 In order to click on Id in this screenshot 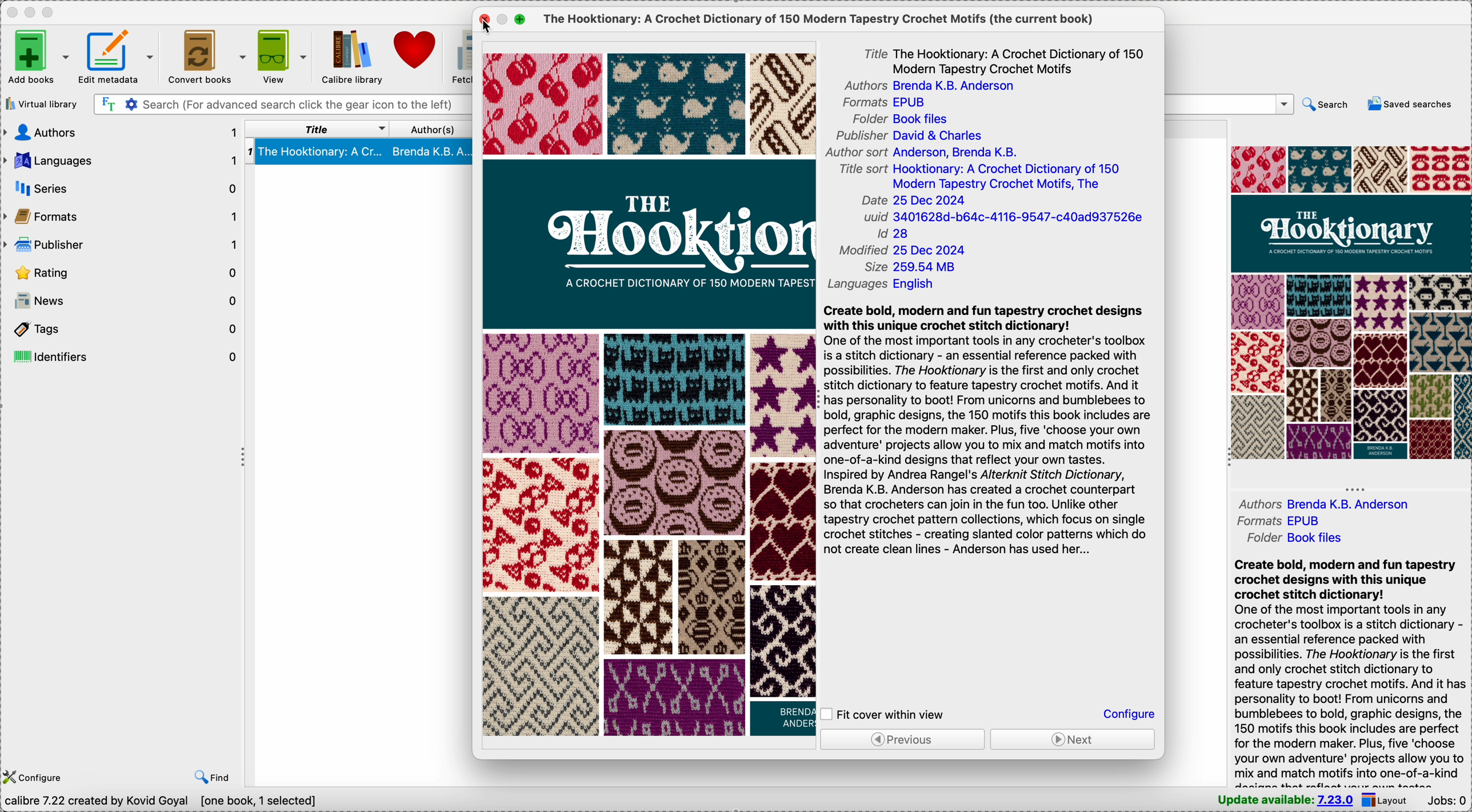, I will do `click(895, 231)`.